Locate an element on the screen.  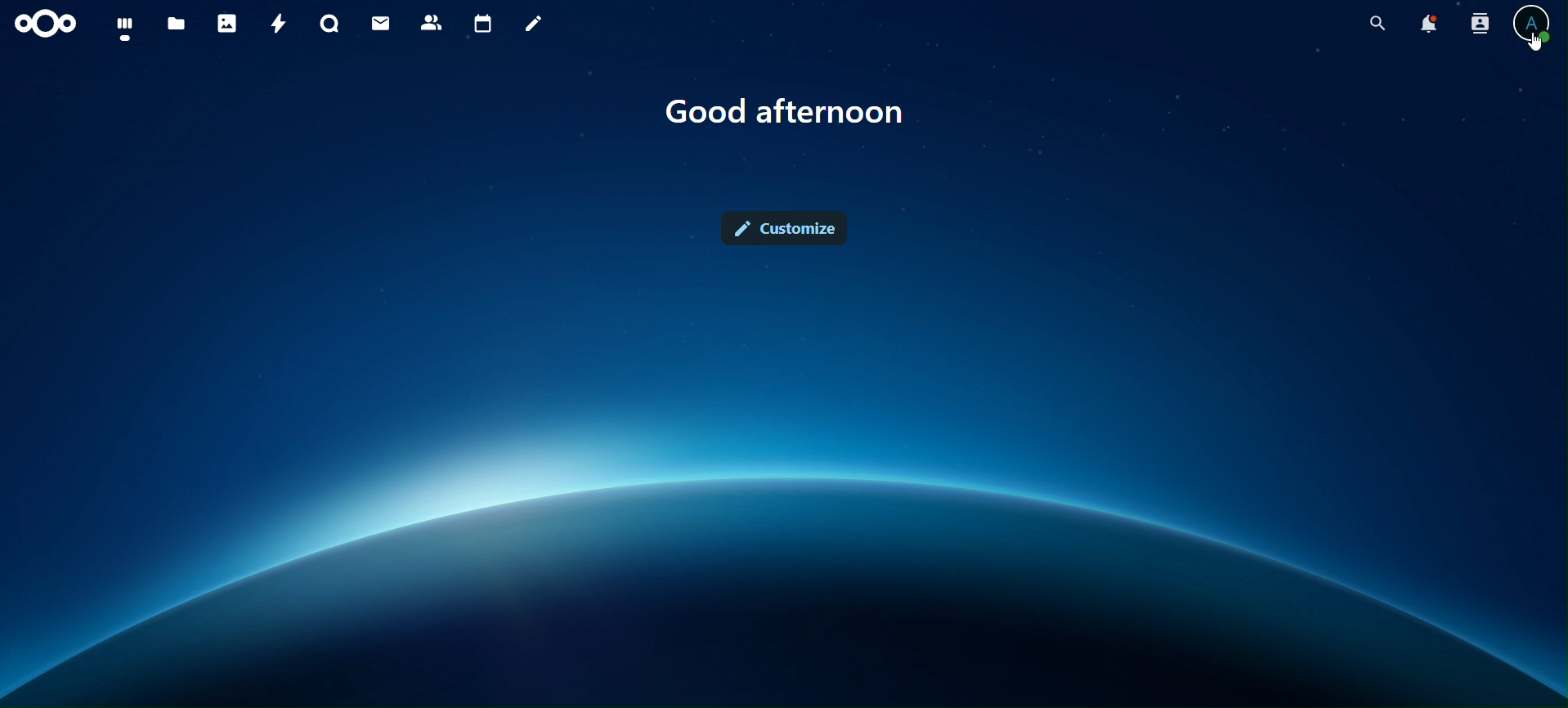
search is located at coordinates (1375, 24).